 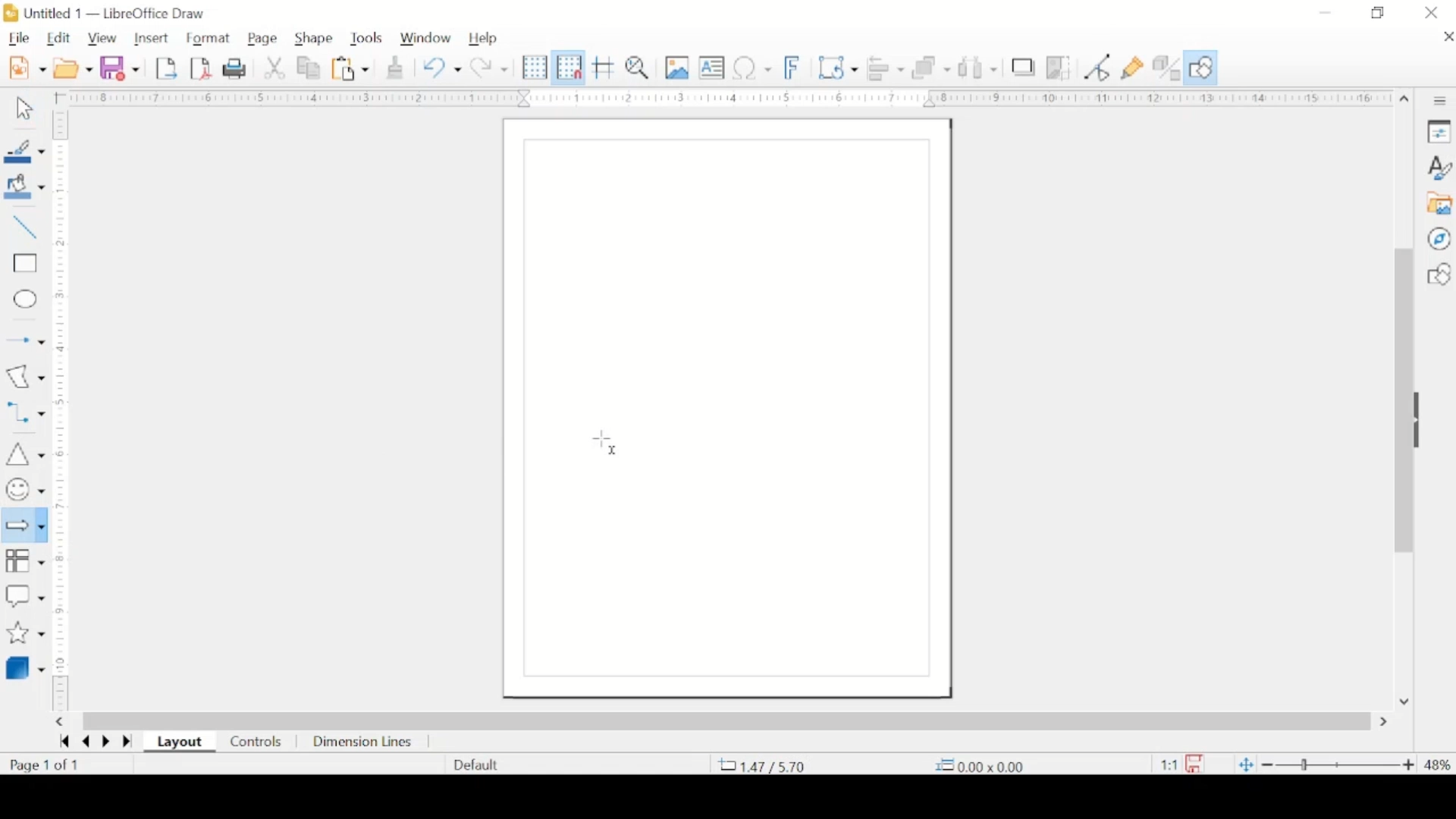 What do you see at coordinates (24, 490) in the screenshot?
I see `symbols` at bounding box center [24, 490].